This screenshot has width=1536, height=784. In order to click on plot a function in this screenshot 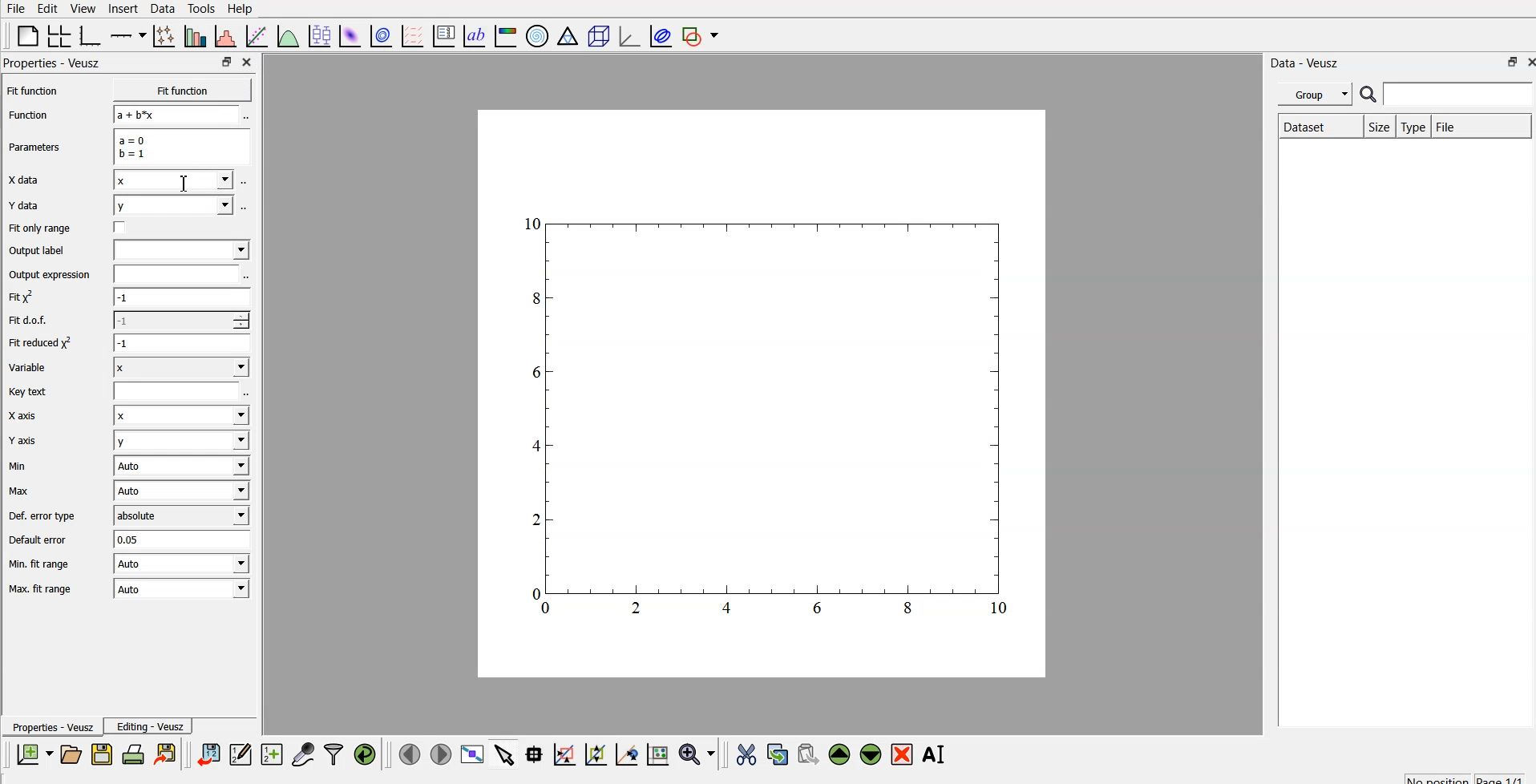, I will do `click(287, 38)`.